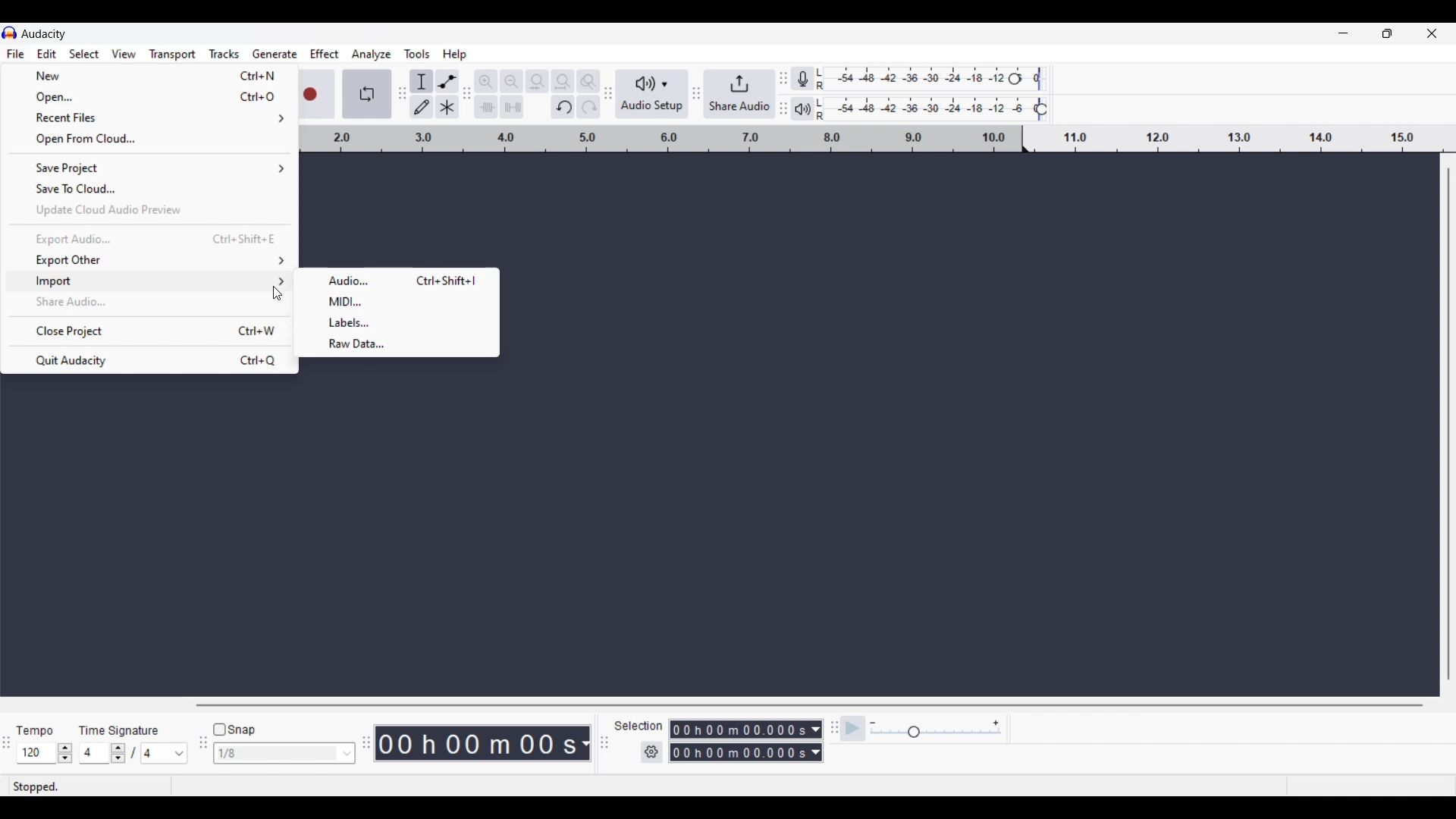 The width and height of the screenshot is (1456, 819). I want to click on tools tool bar, so click(400, 93).